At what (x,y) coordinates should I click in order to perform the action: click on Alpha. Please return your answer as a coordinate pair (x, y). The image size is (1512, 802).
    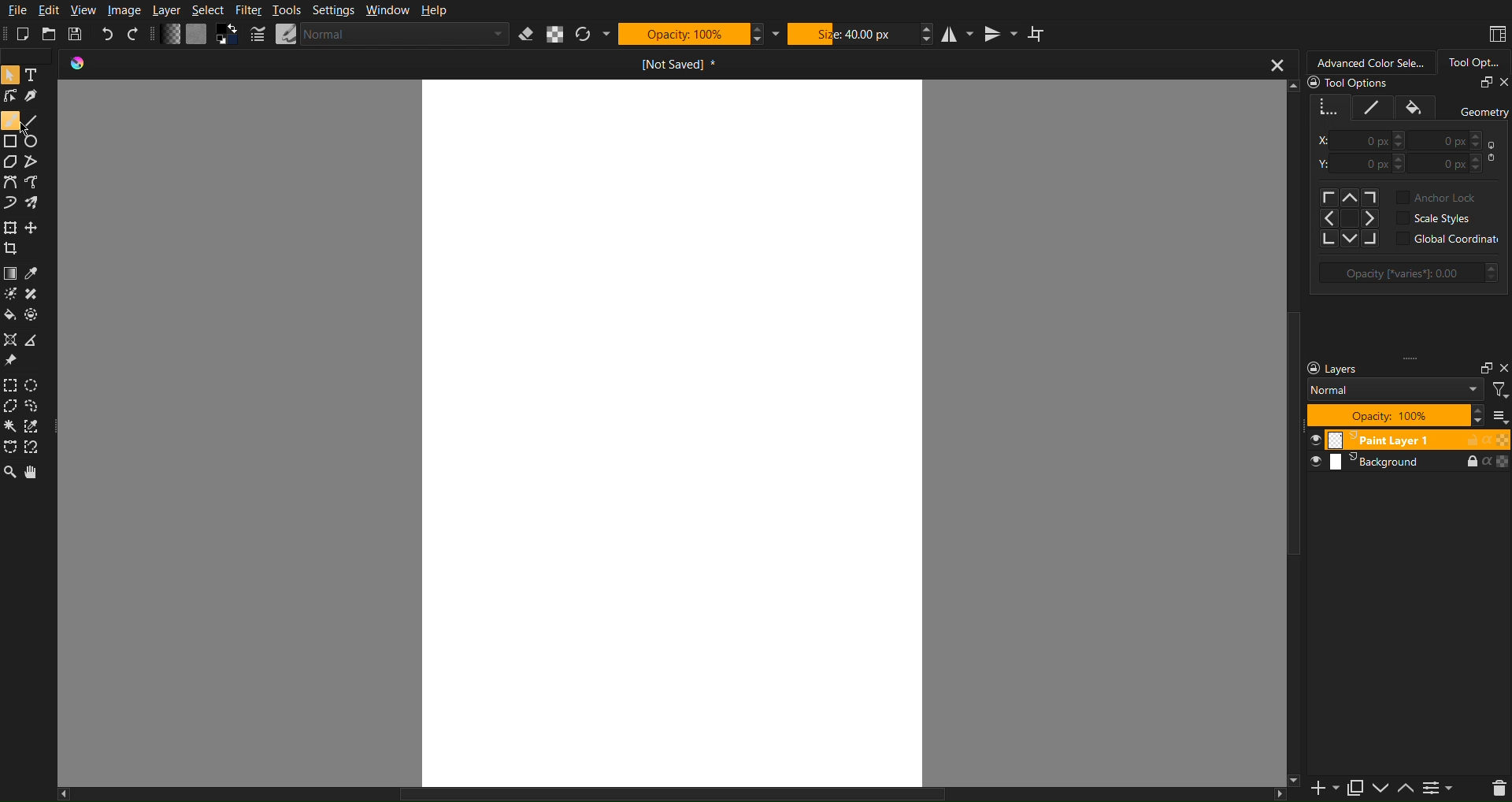
    Looking at the image, I should click on (556, 34).